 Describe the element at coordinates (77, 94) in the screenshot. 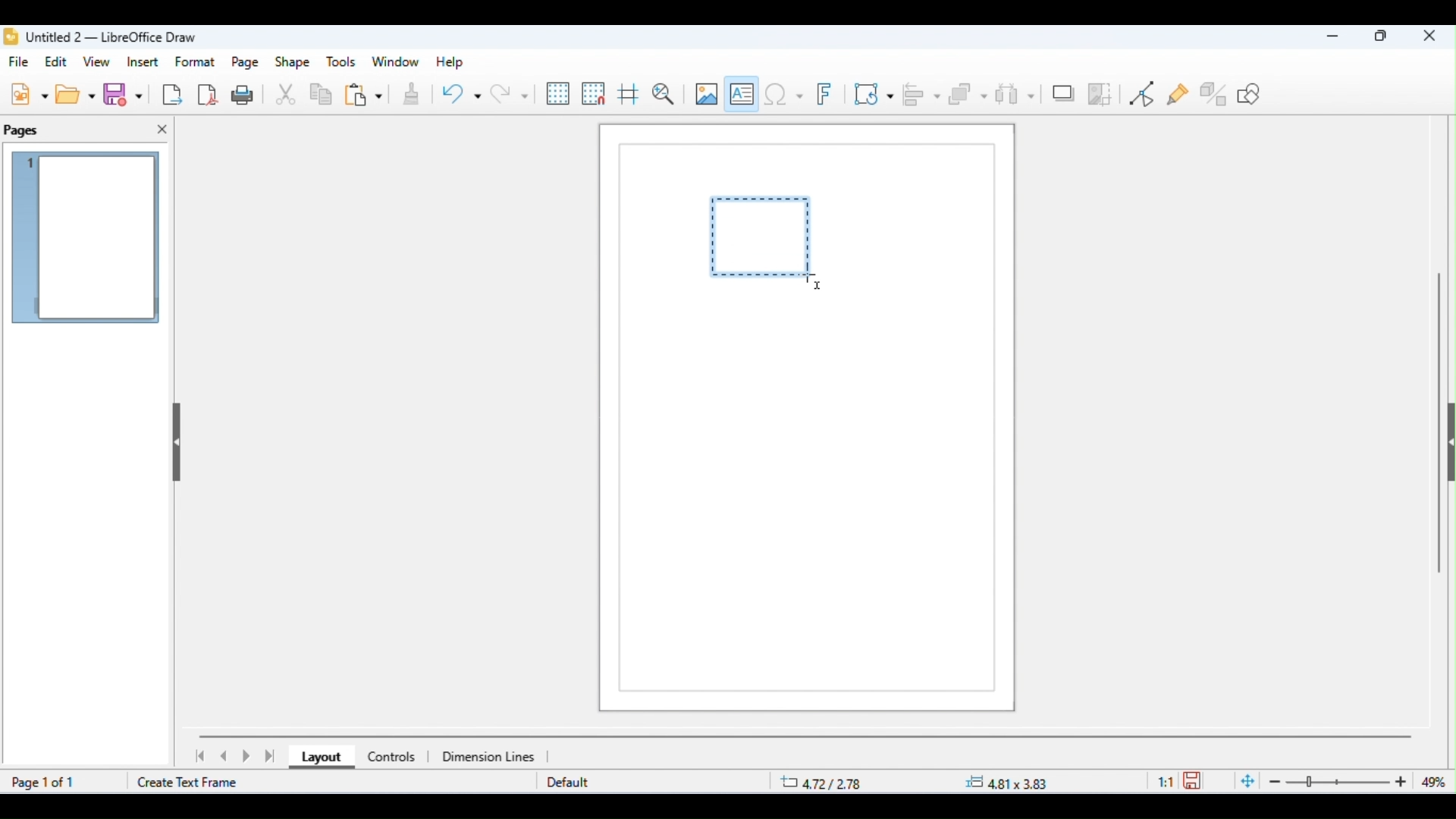

I see `open` at that location.